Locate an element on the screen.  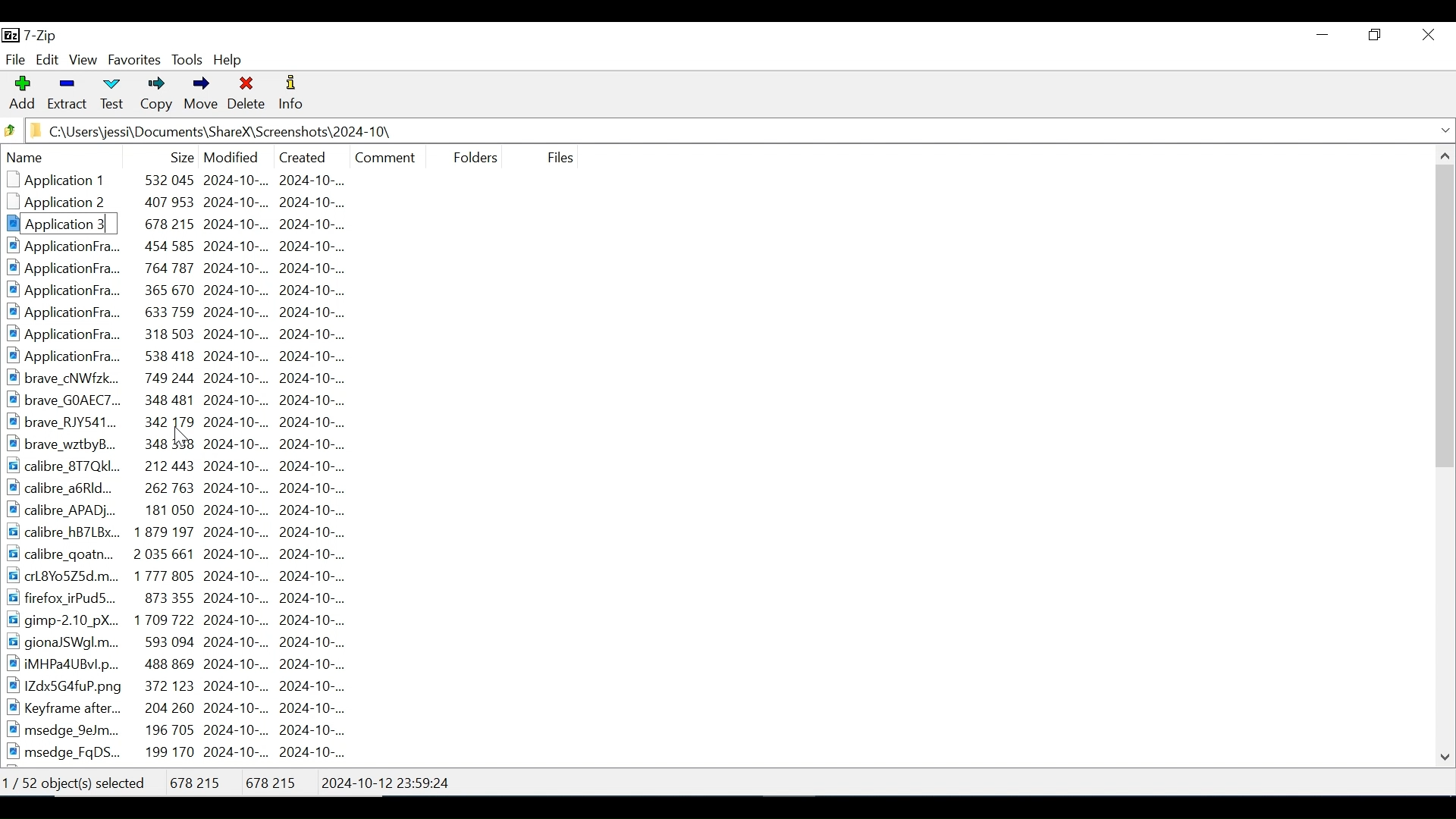
Close is located at coordinates (1427, 35).